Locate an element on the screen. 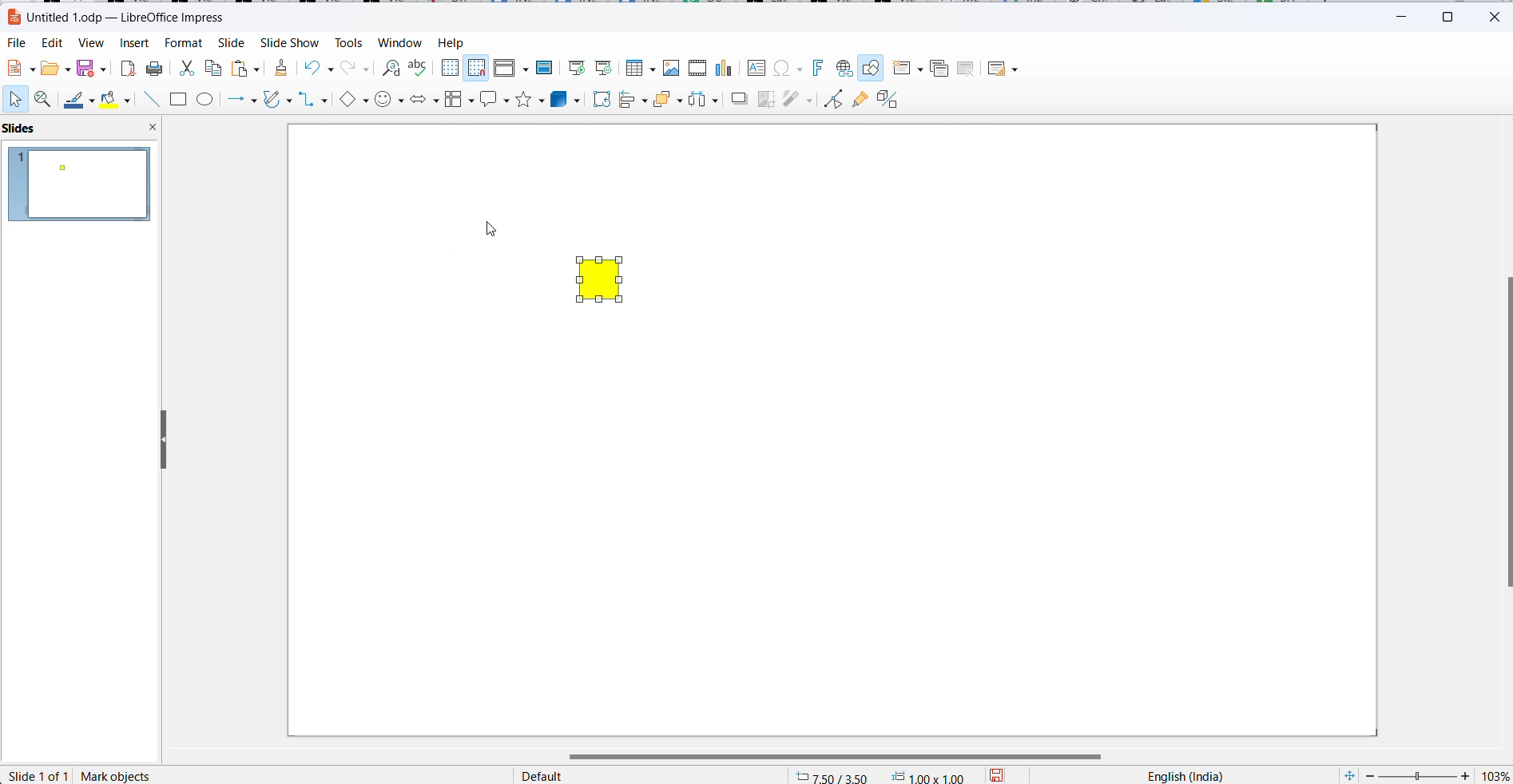  Insert special characters is located at coordinates (790, 69).